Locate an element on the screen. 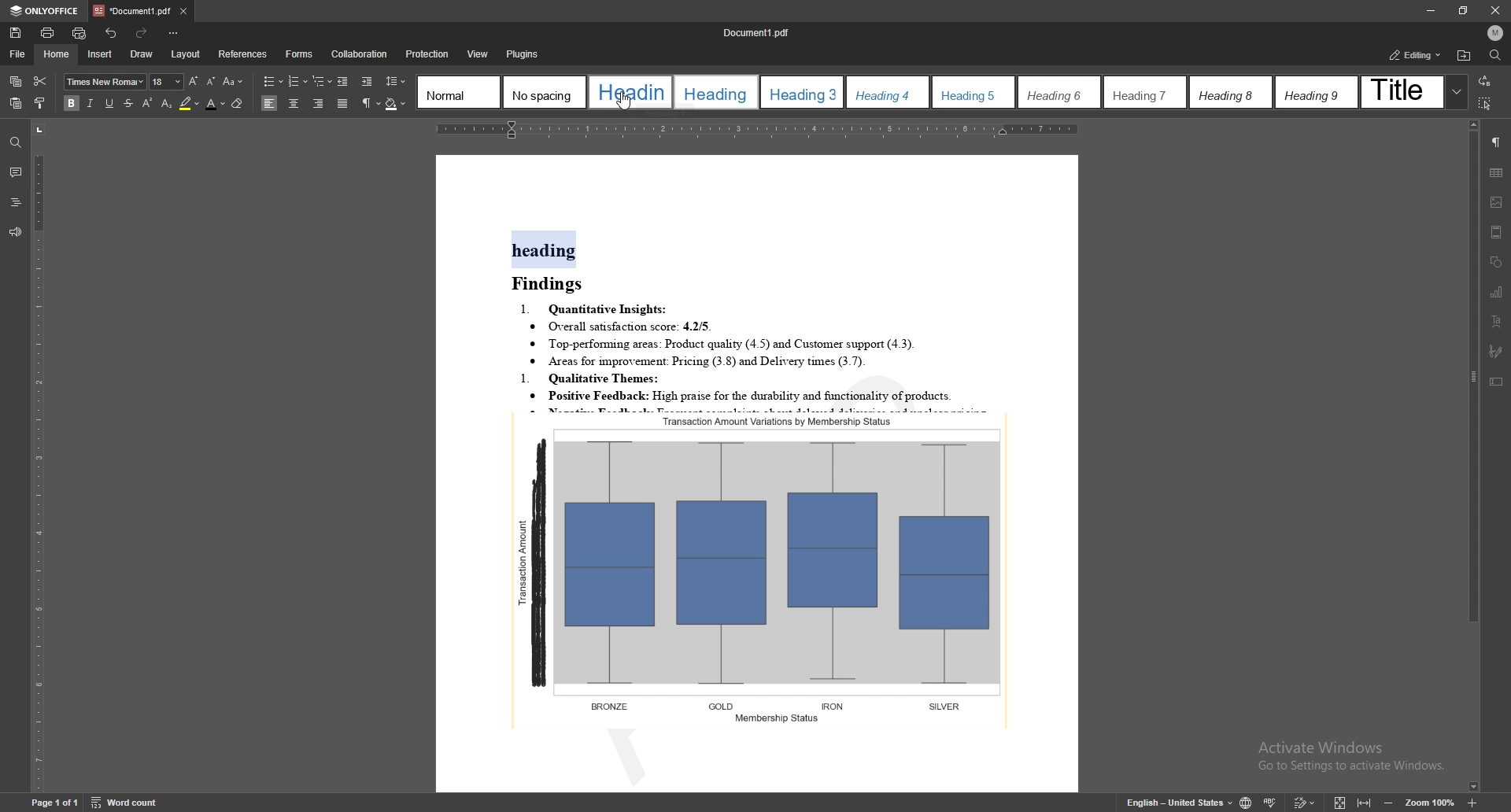 Image resolution: width=1511 pixels, height=812 pixels. underline is located at coordinates (109, 104).